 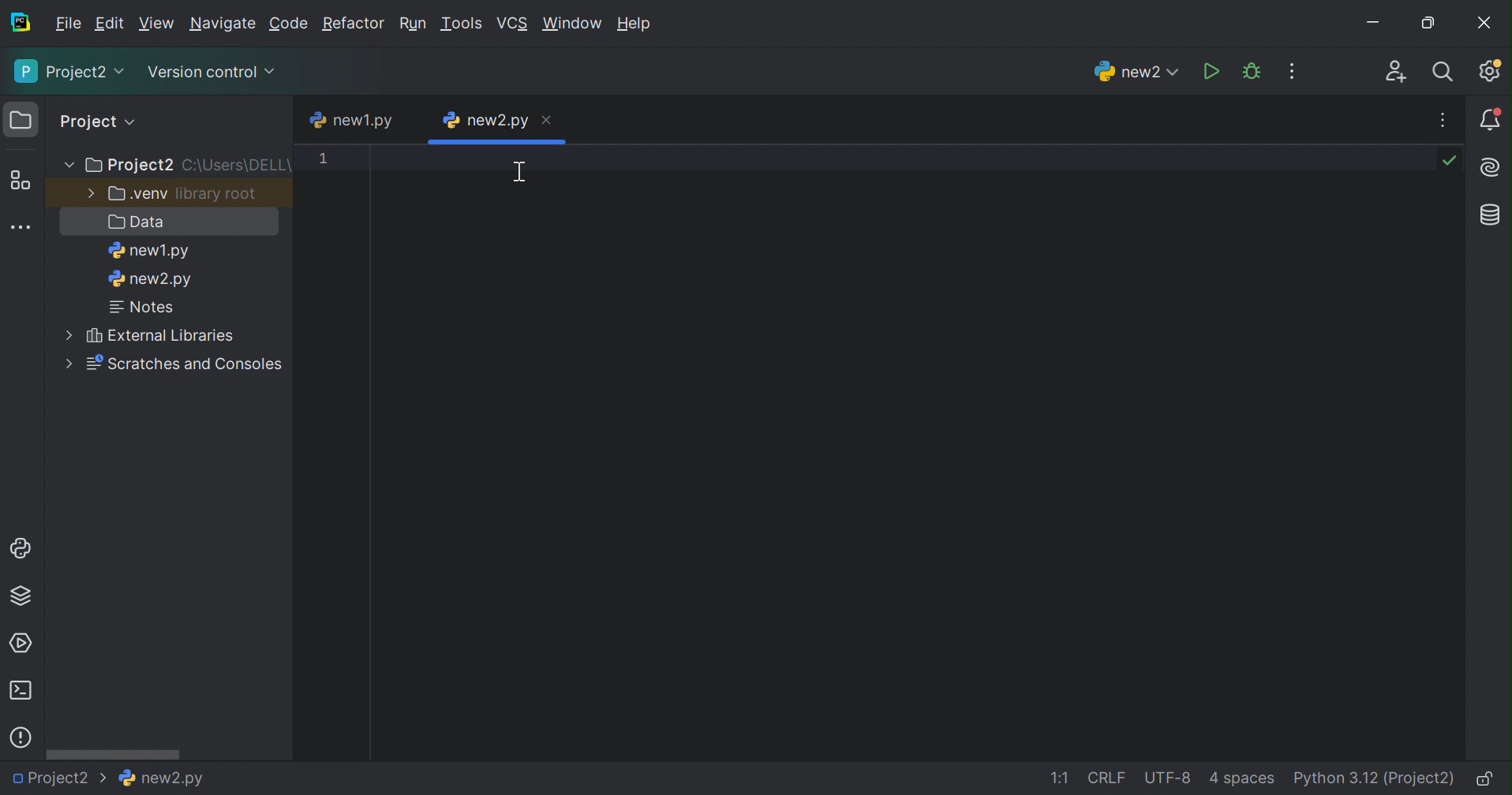 What do you see at coordinates (1396, 72) in the screenshot?
I see `Code with me` at bounding box center [1396, 72].